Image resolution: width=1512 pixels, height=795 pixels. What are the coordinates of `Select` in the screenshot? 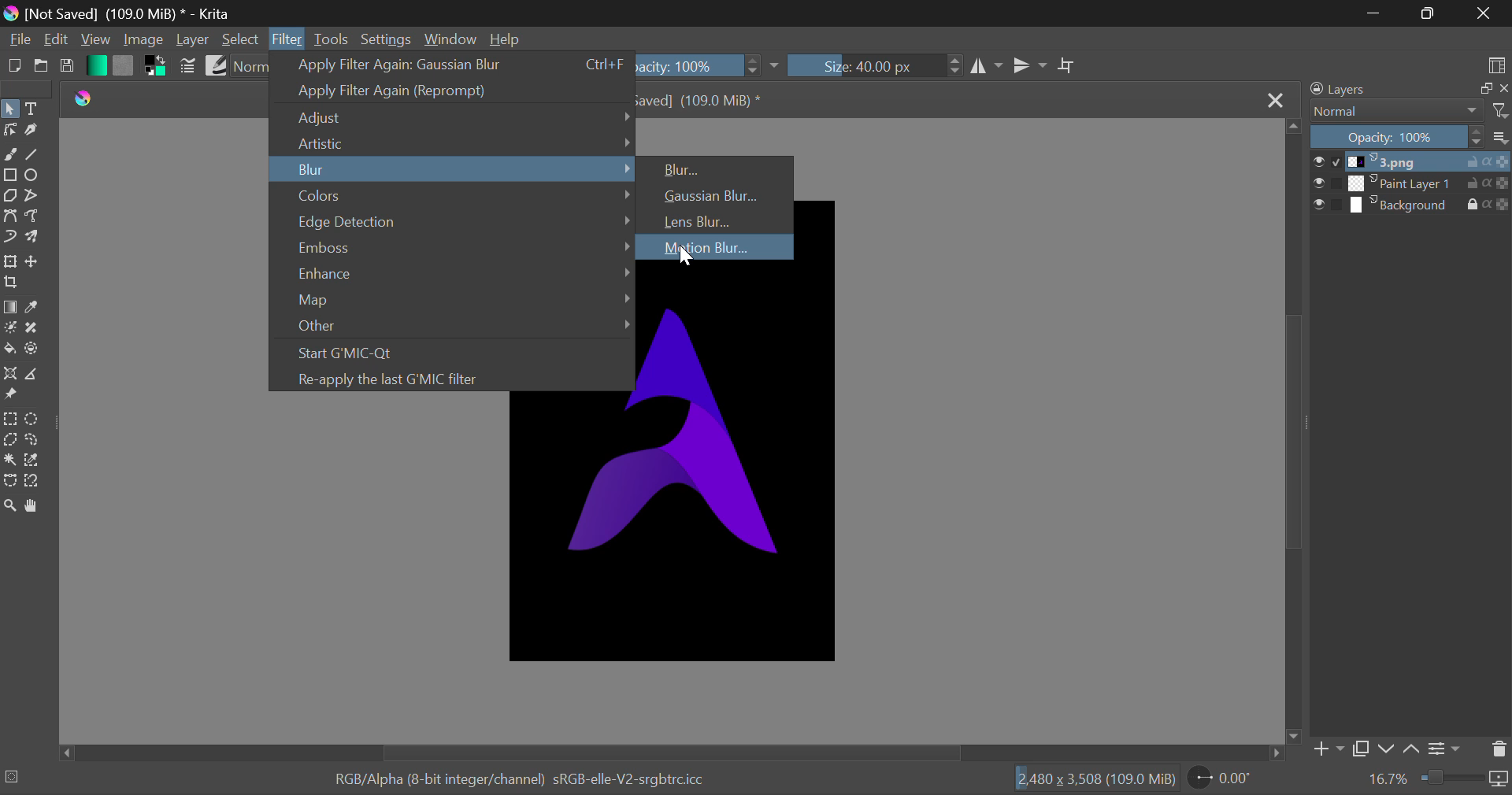 It's located at (241, 39).